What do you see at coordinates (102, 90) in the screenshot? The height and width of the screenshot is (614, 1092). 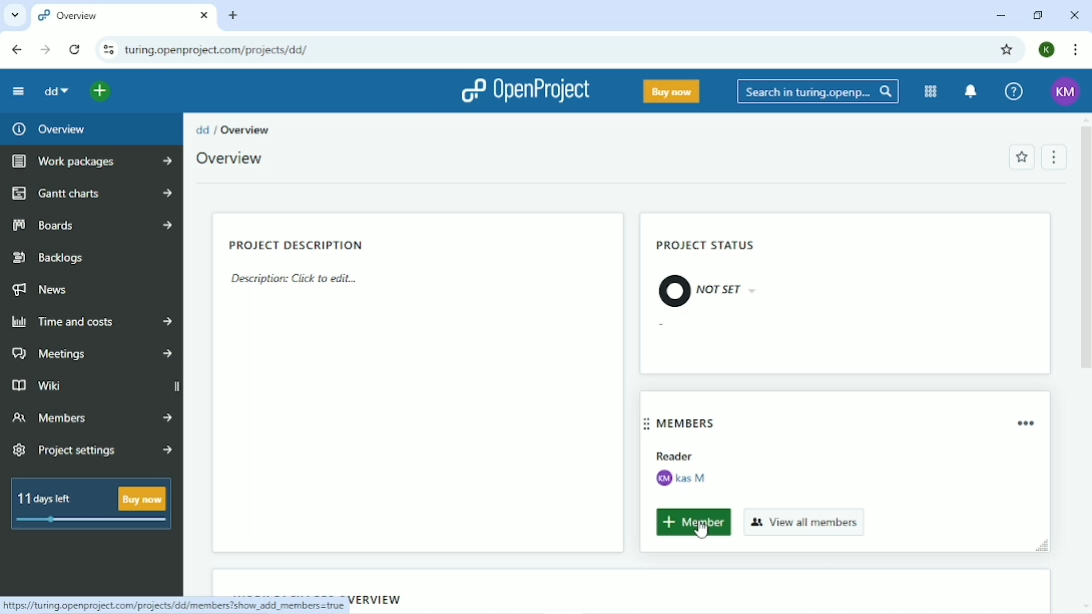 I see `Add new` at bounding box center [102, 90].